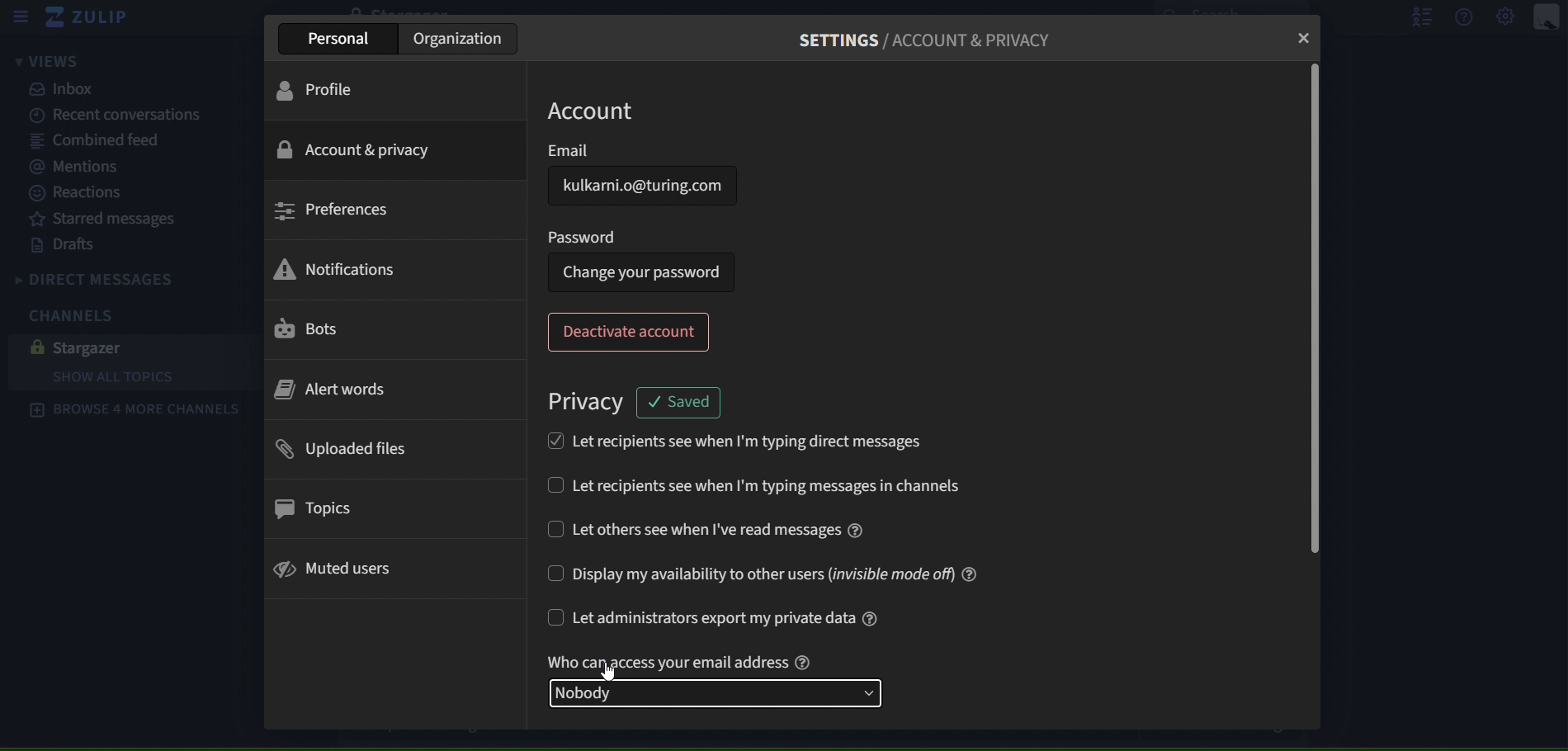 The width and height of the screenshot is (1568, 751). Describe the element at coordinates (612, 670) in the screenshot. I see `cursor` at that location.